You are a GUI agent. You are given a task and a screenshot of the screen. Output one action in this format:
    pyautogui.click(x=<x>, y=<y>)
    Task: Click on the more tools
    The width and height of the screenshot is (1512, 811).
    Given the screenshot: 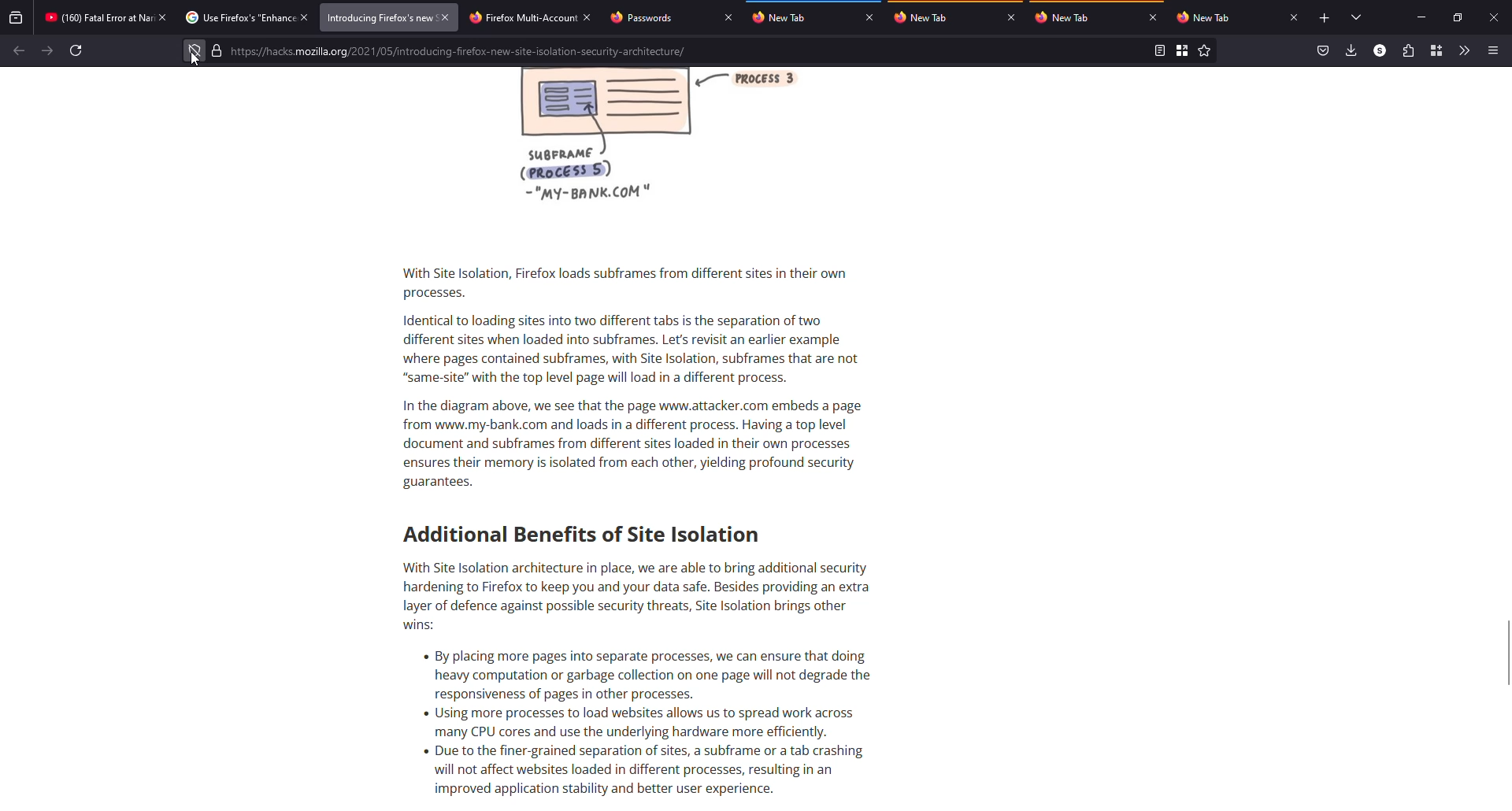 What is the action you would take?
    pyautogui.click(x=1465, y=51)
    